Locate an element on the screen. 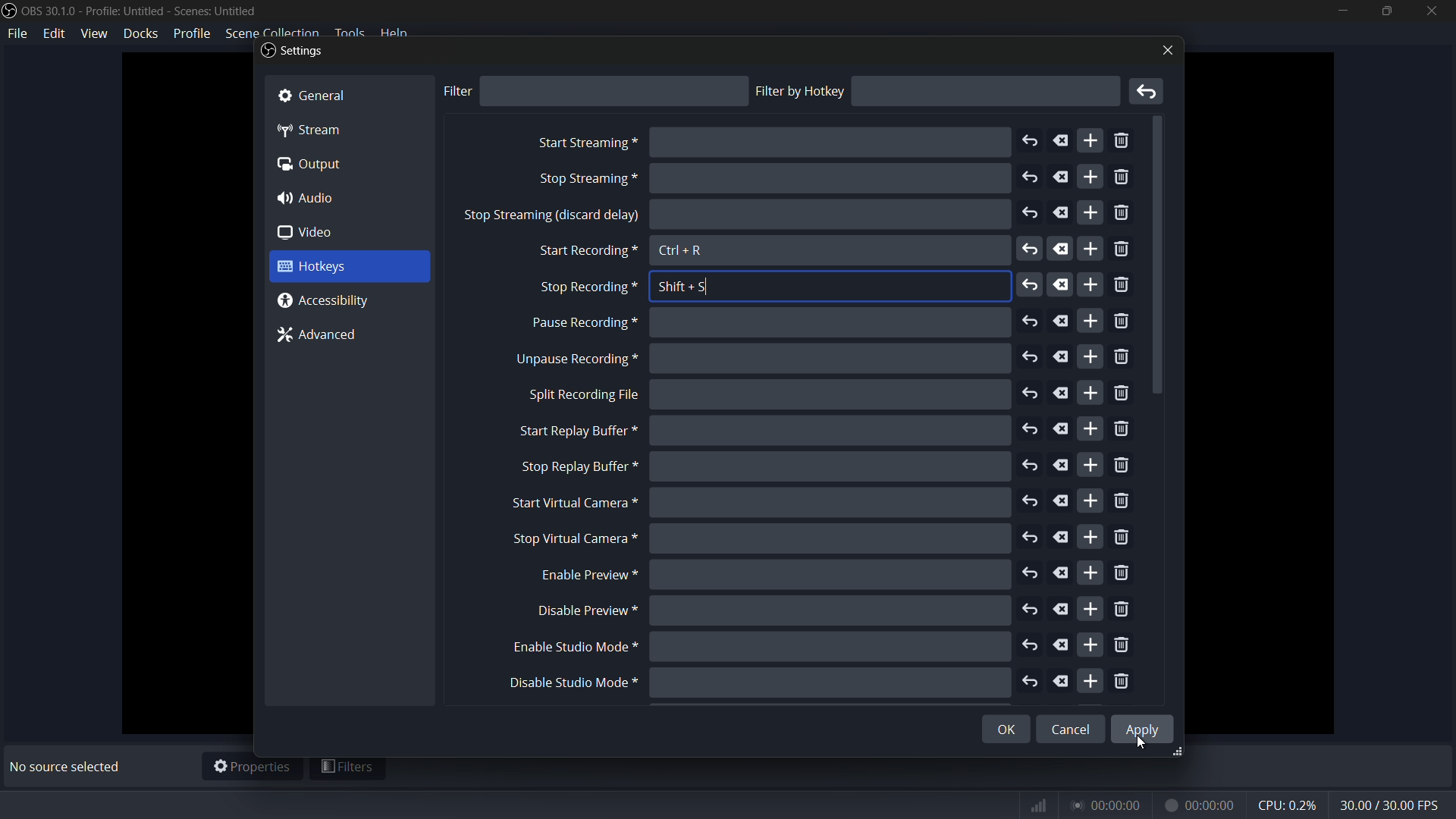 Image resolution: width=1456 pixels, height=819 pixels. docks menu is located at coordinates (142, 33).